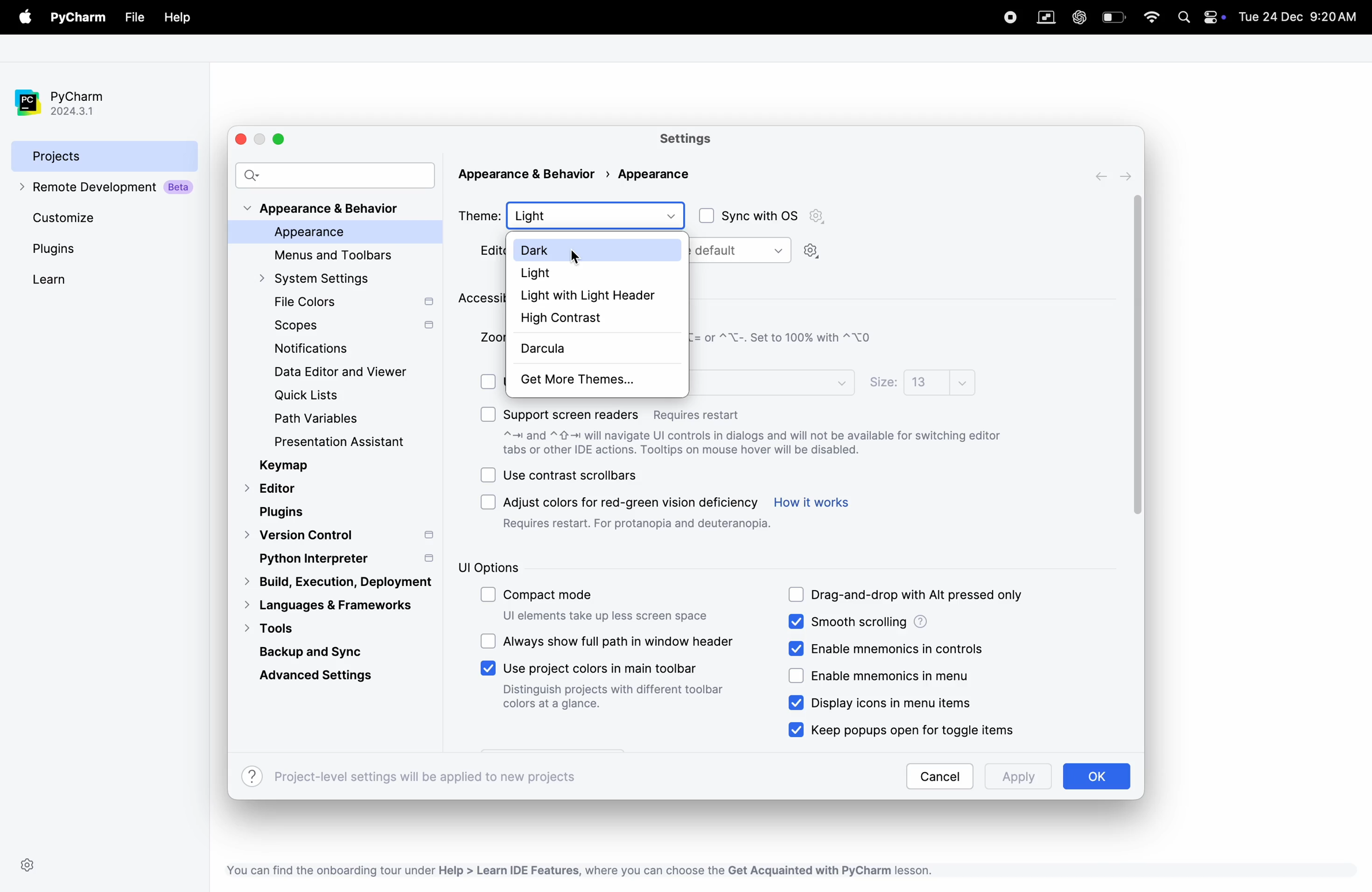 This screenshot has width=1372, height=892. Describe the element at coordinates (800, 648) in the screenshot. I see `checkbox` at that location.